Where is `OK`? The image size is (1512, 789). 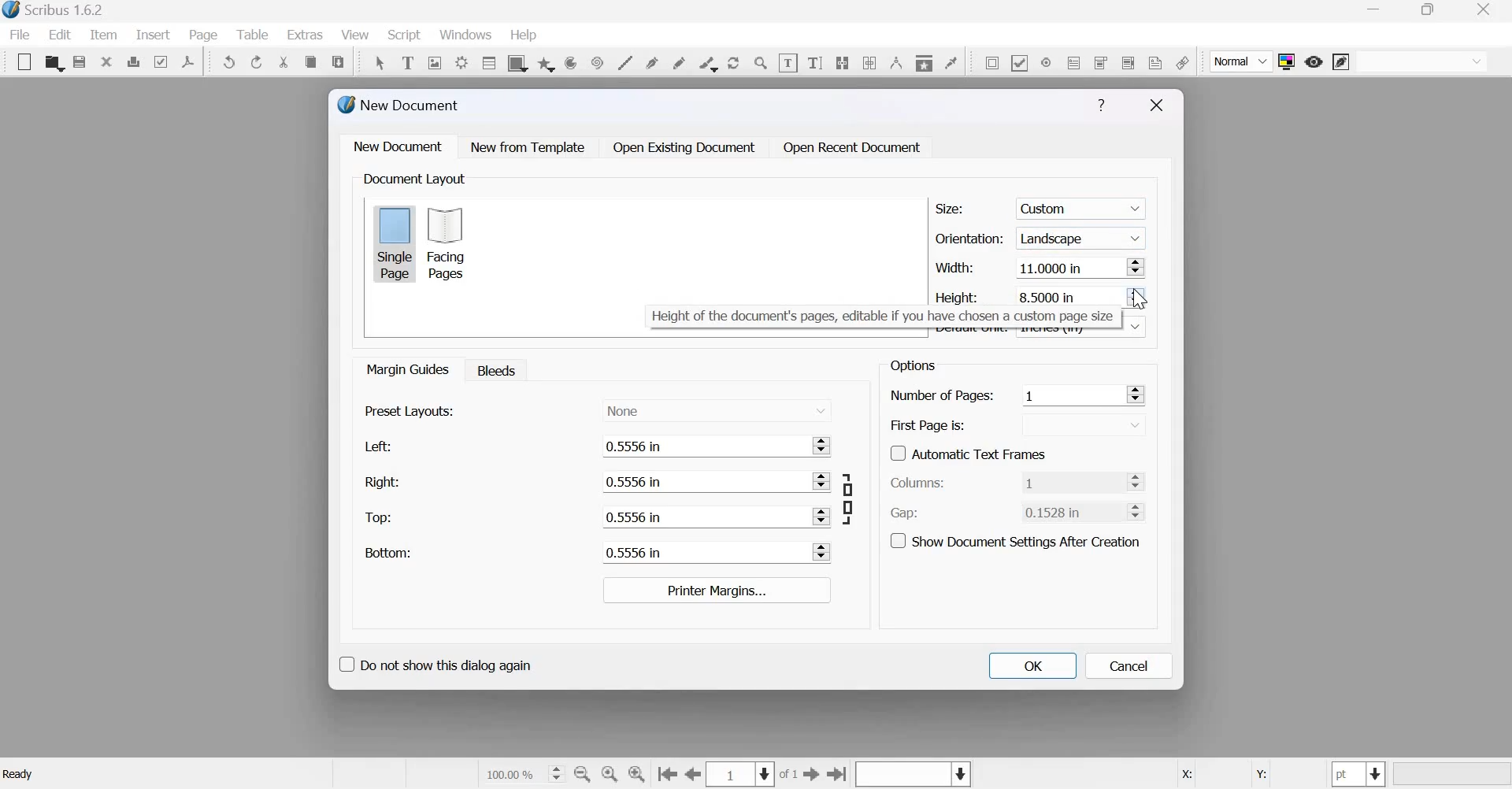
OK is located at coordinates (1032, 665).